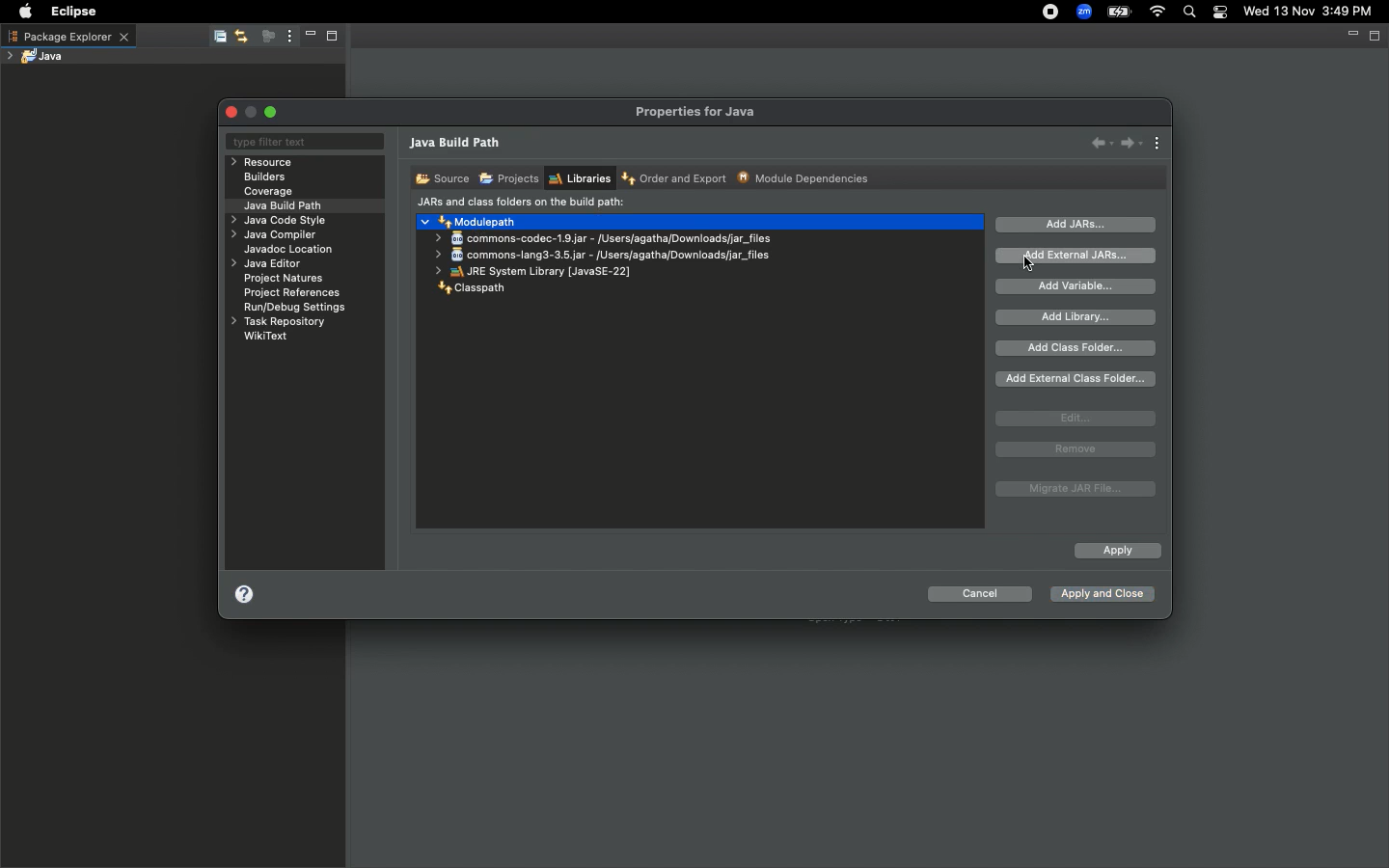 This screenshot has height=868, width=1389. What do you see at coordinates (471, 221) in the screenshot?
I see `Modulepath` at bounding box center [471, 221].